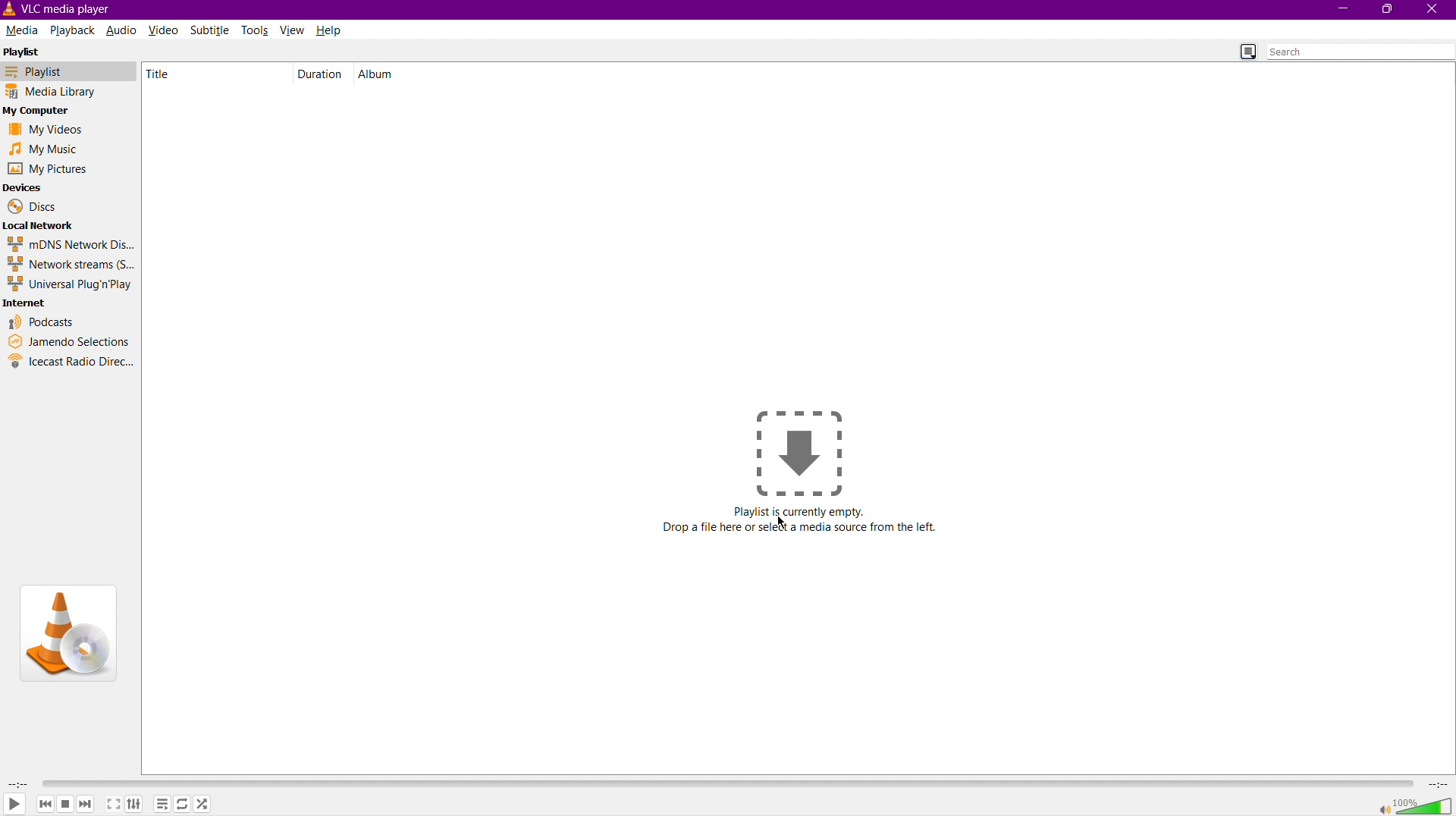 The height and width of the screenshot is (816, 1456). I want to click on Album, so click(381, 74).